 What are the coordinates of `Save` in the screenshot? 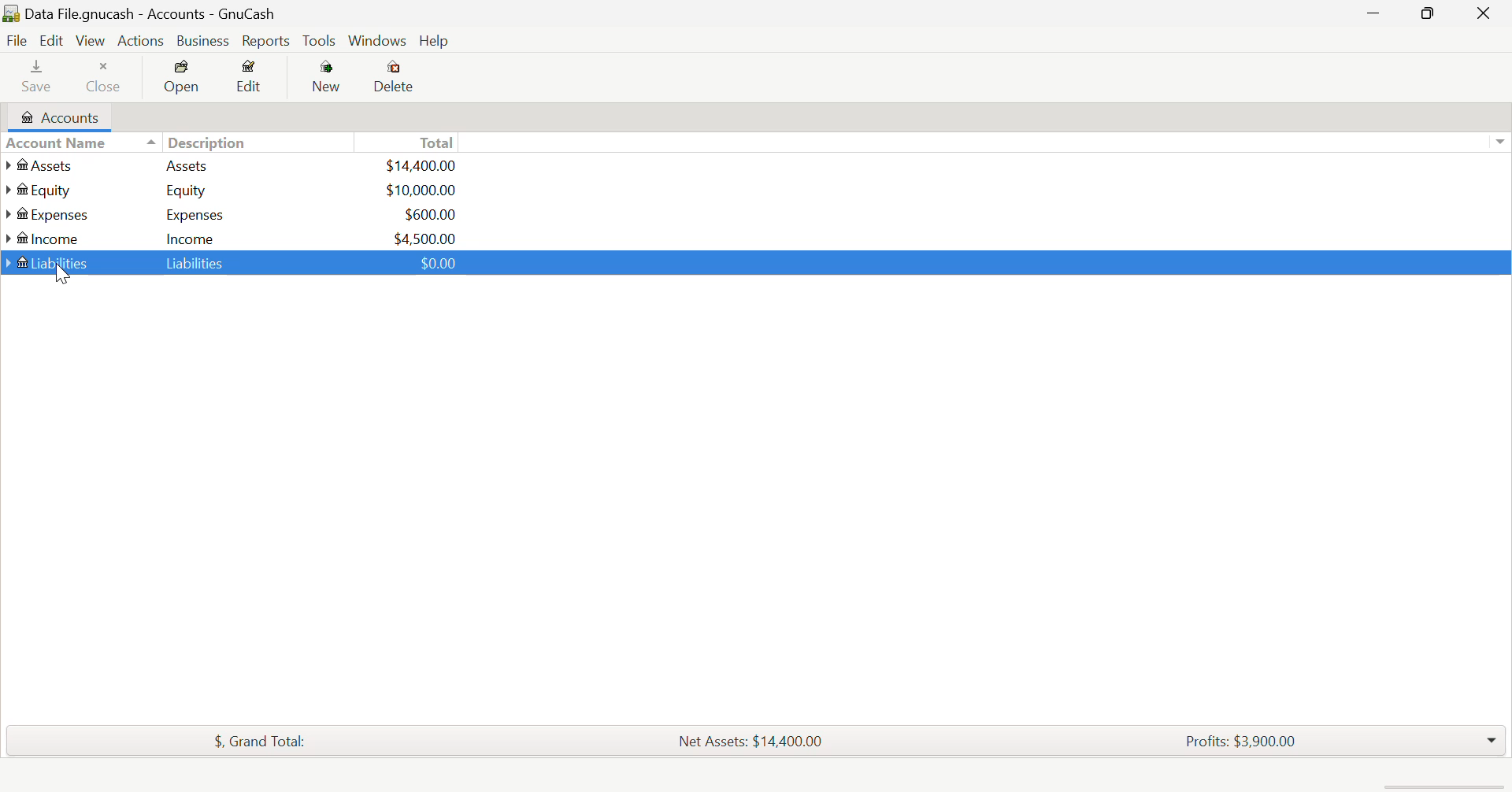 It's located at (30, 79).